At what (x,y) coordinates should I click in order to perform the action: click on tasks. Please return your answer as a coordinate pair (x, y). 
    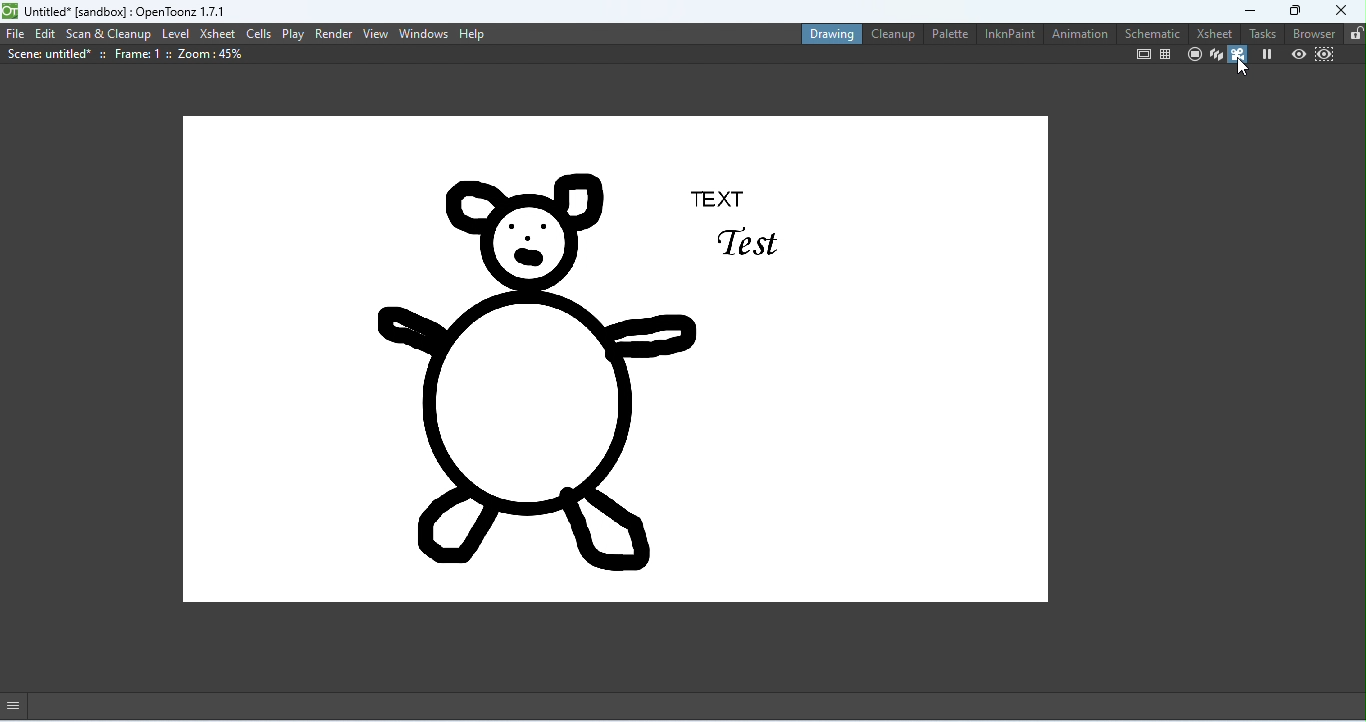
    Looking at the image, I should click on (1261, 32).